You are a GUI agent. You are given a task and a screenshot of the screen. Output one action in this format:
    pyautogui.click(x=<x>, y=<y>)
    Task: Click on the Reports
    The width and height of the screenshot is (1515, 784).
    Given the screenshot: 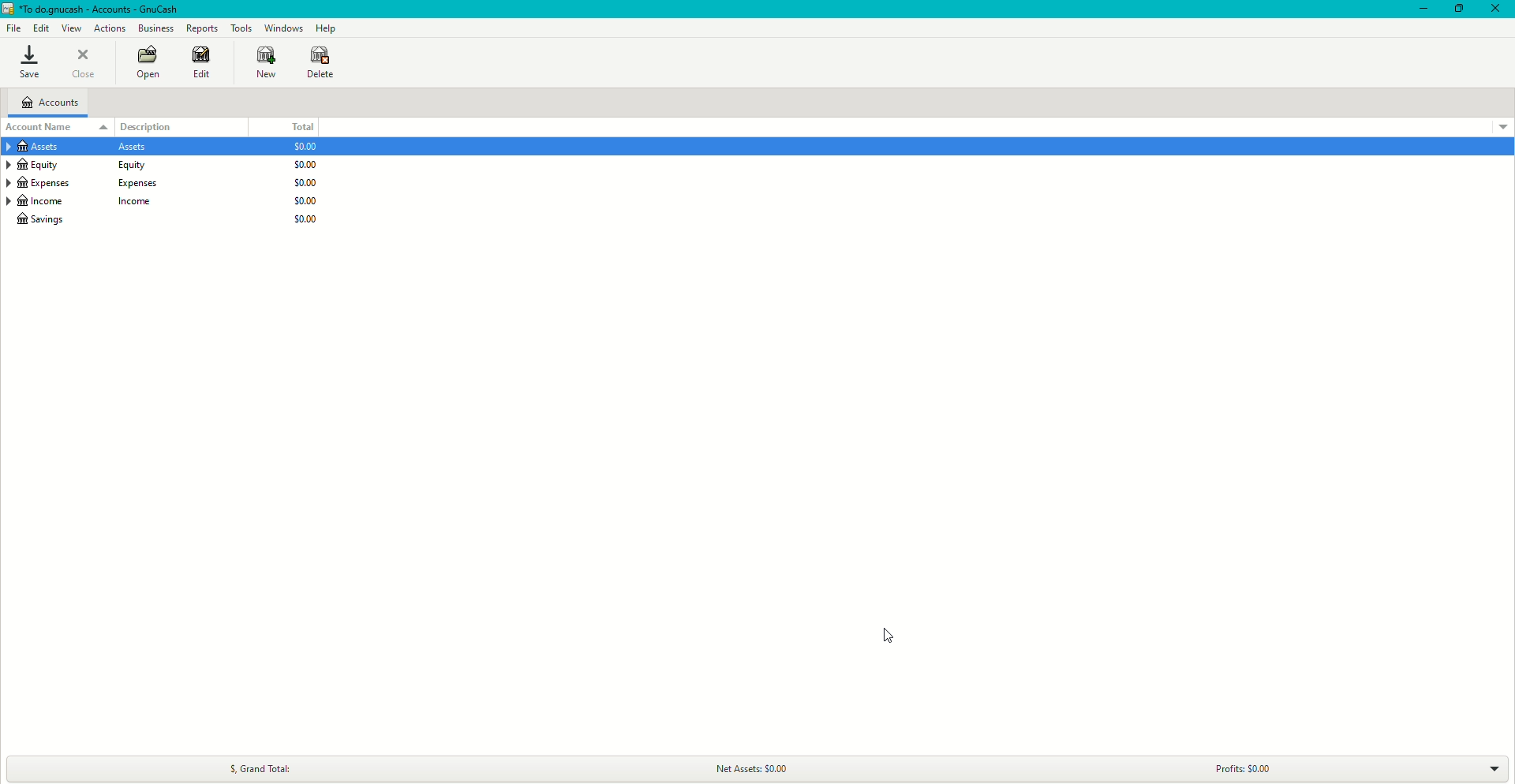 What is the action you would take?
    pyautogui.click(x=202, y=28)
    